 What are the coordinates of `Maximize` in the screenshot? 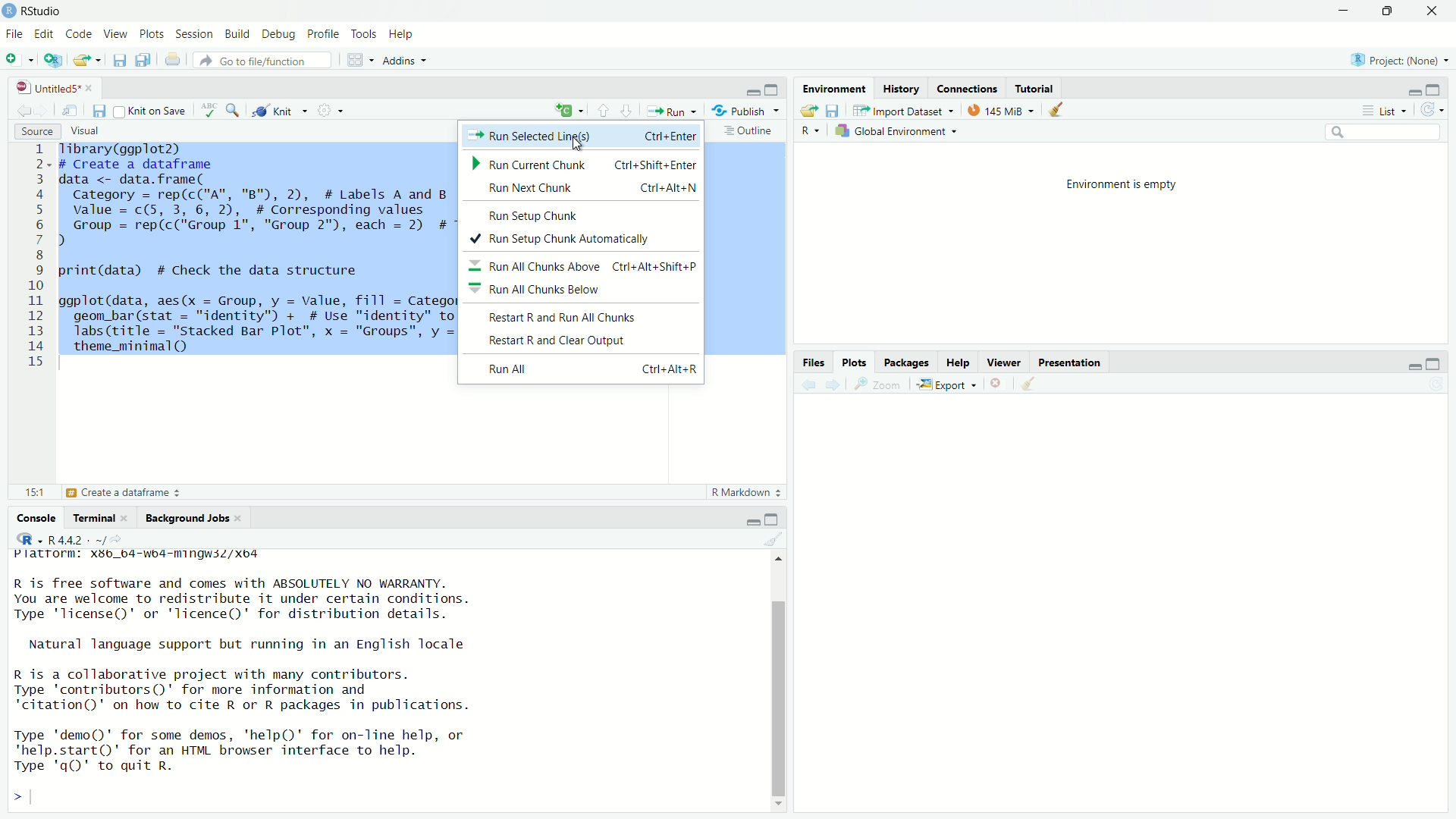 It's located at (1439, 363).